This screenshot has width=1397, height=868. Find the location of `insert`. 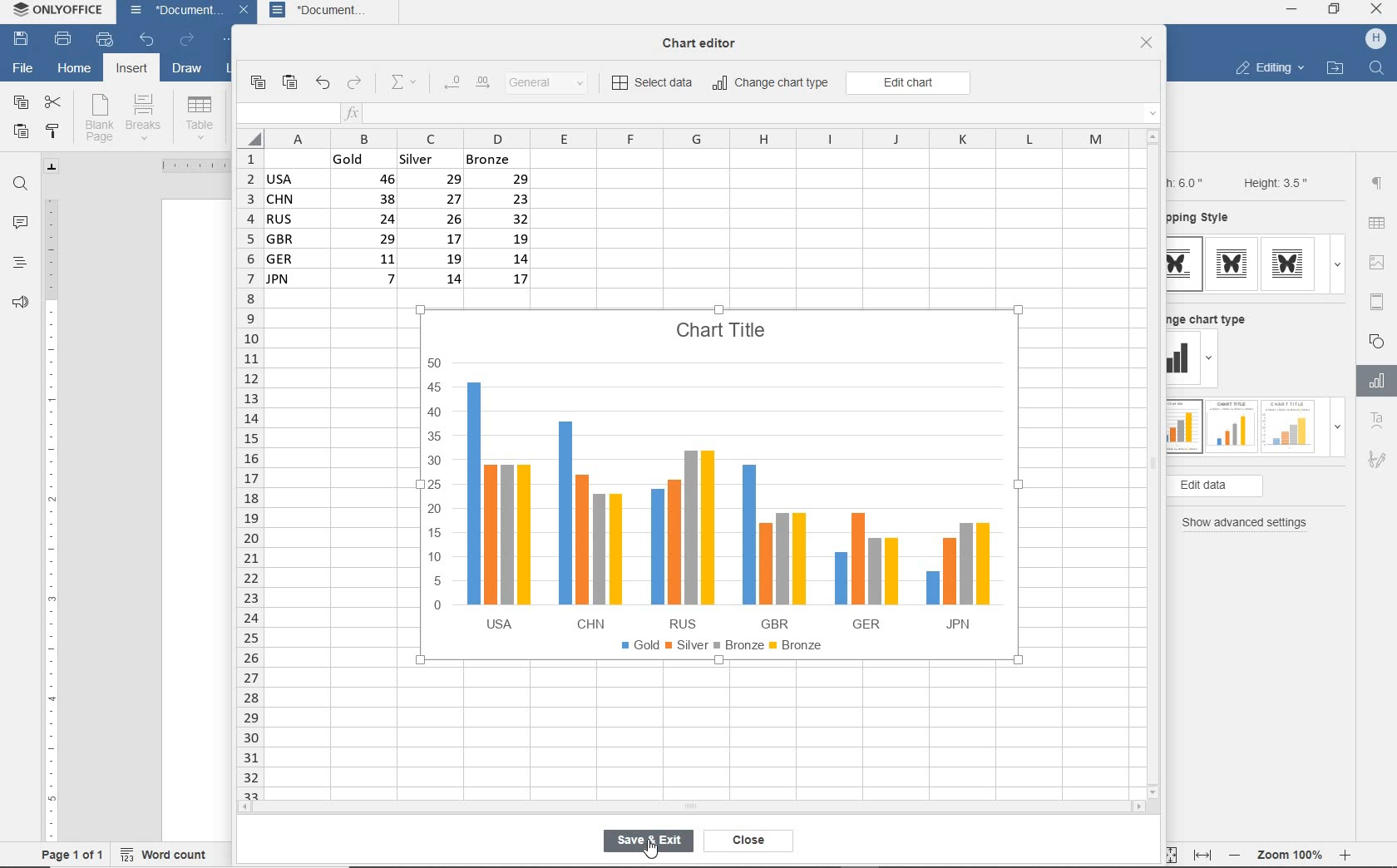

insert is located at coordinates (130, 70).